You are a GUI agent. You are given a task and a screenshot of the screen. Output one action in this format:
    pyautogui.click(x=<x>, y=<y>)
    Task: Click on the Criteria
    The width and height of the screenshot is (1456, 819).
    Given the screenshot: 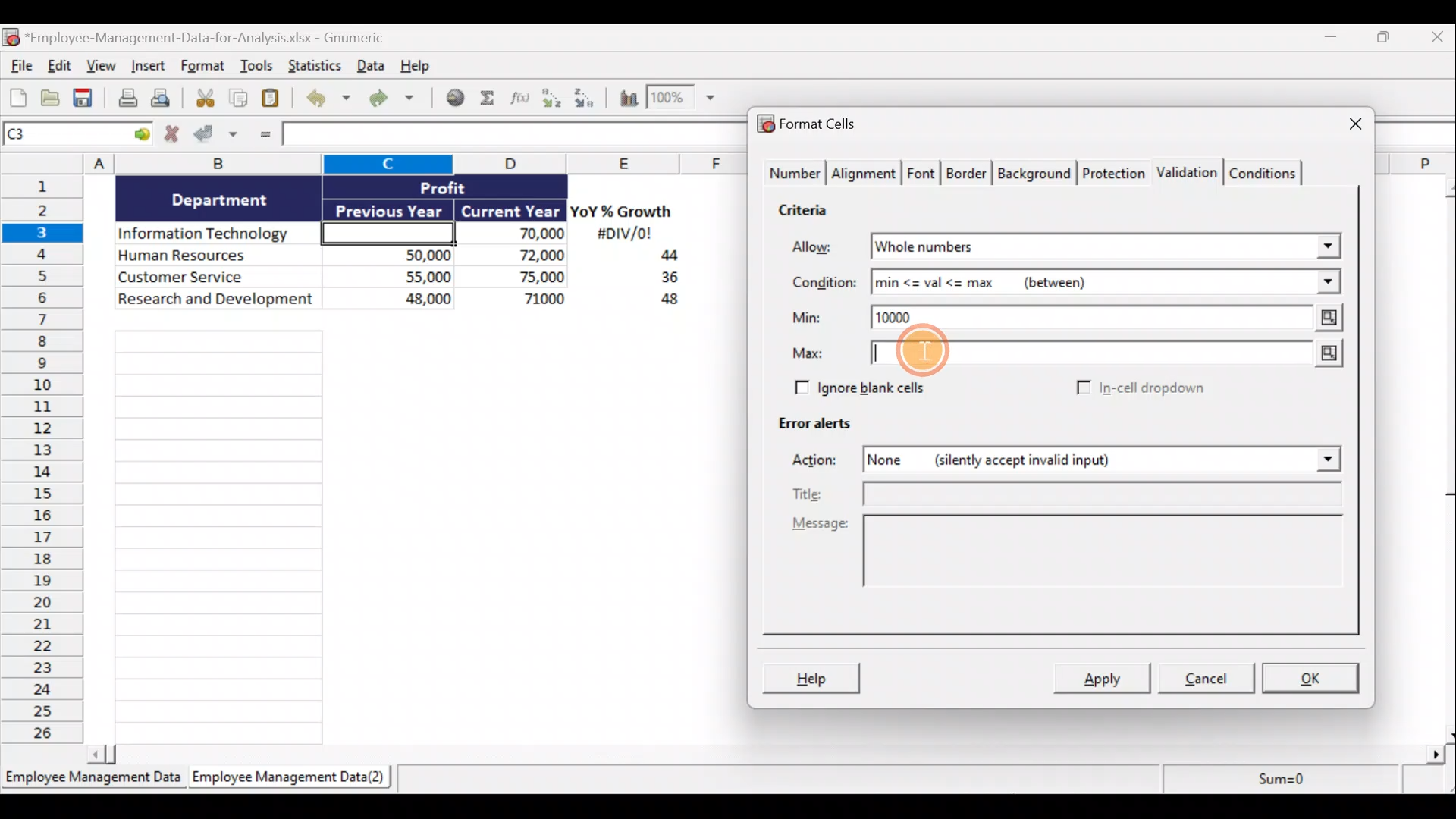 What is the action you would take?
    pyautogui.click(x=805, y=212)
    